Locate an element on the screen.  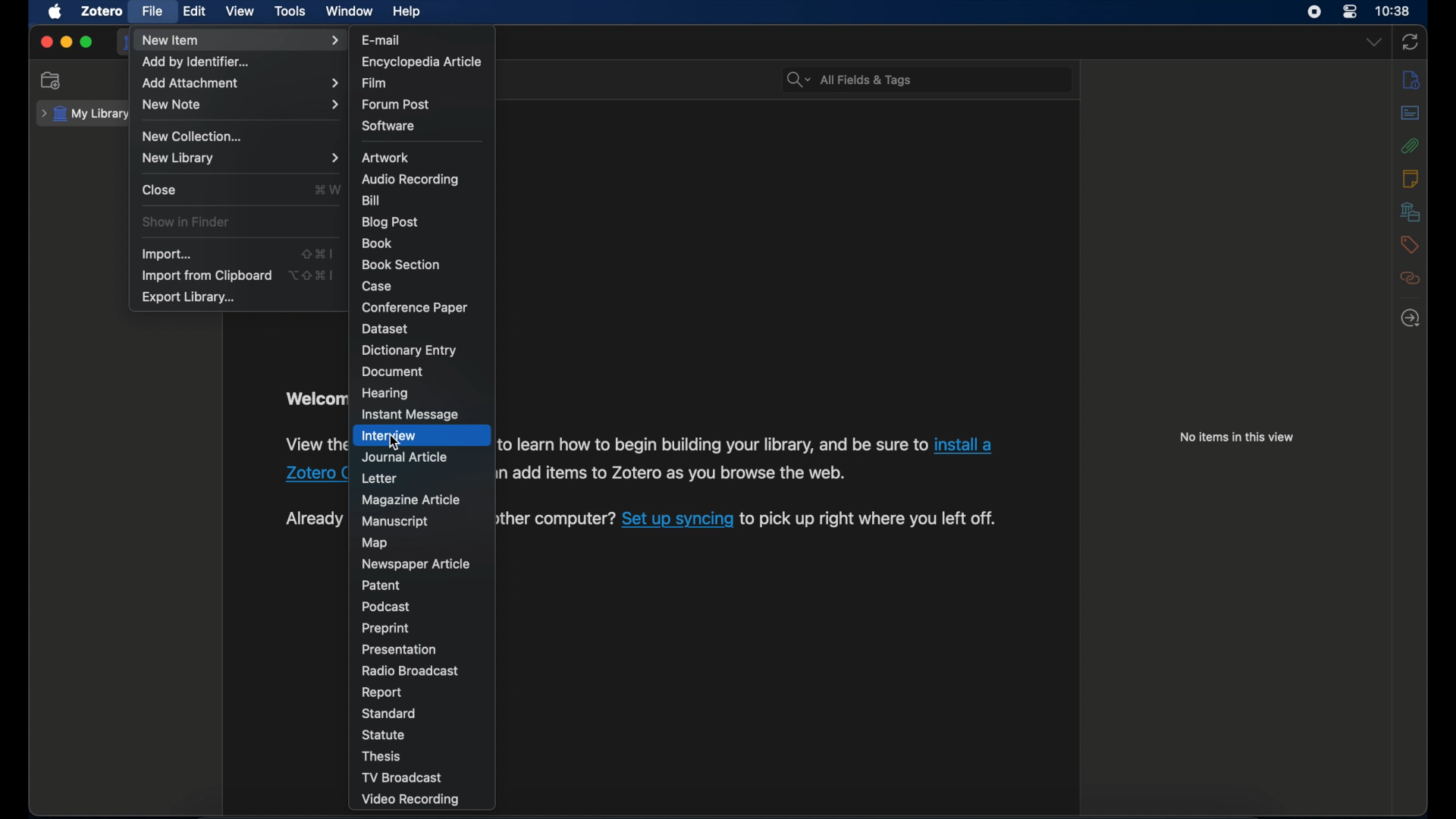
preprint is located at coordinates (385, 628).